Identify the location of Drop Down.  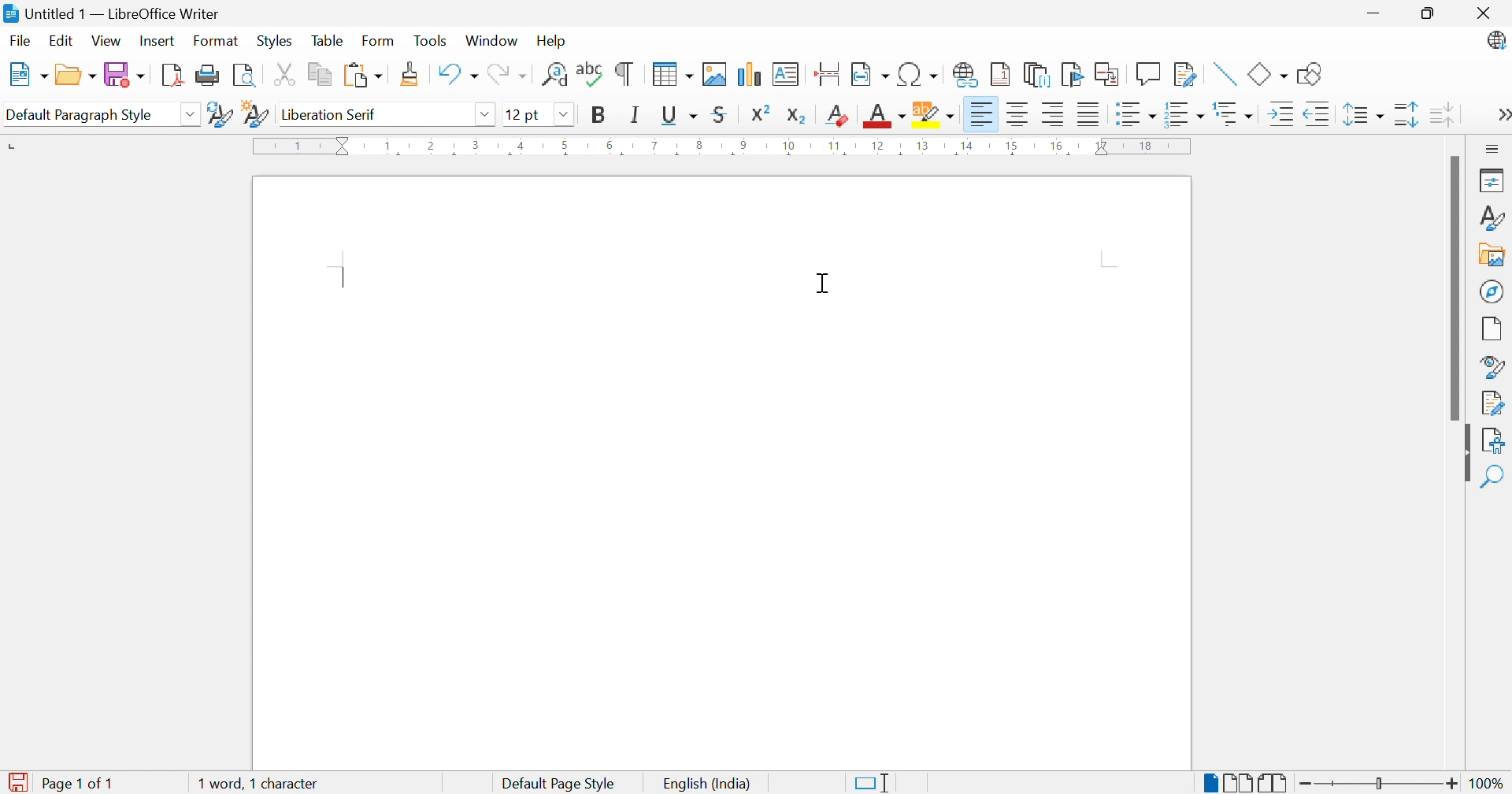
(485, 115).